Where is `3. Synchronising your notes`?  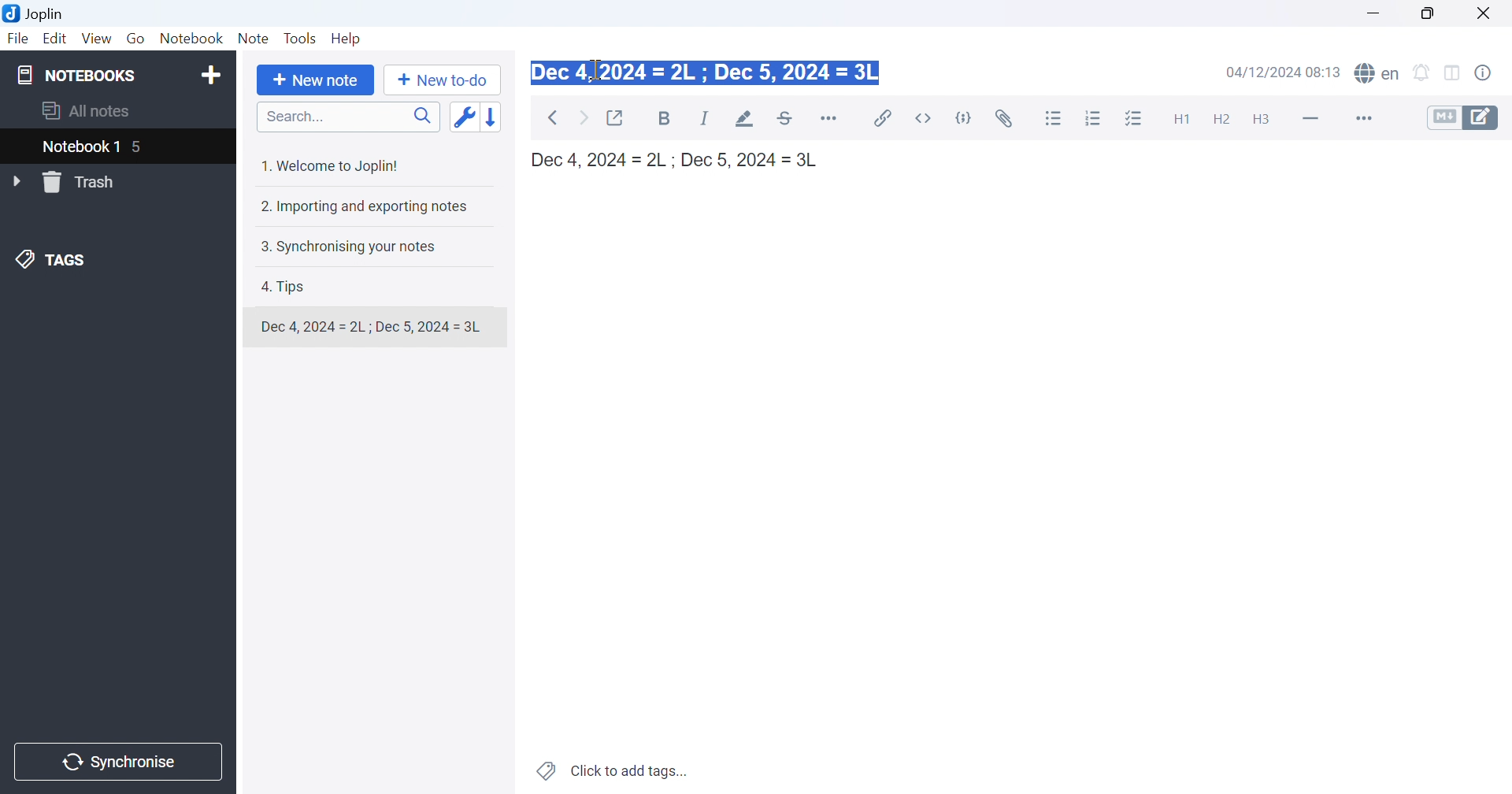
3. Synchronising your notes is located at coordinates (352, 245).